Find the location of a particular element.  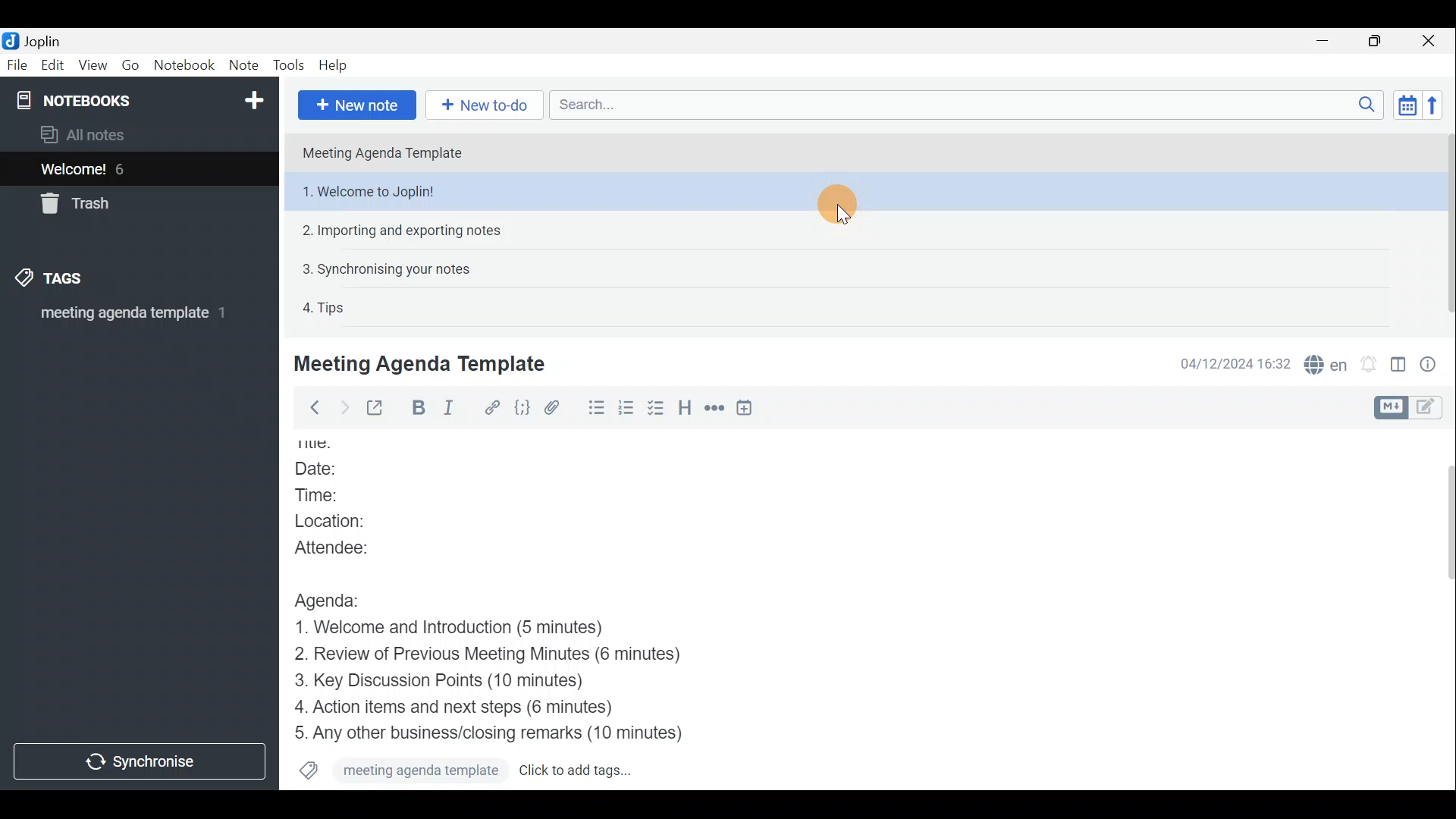

Time: is located at coordinates (325, 495).